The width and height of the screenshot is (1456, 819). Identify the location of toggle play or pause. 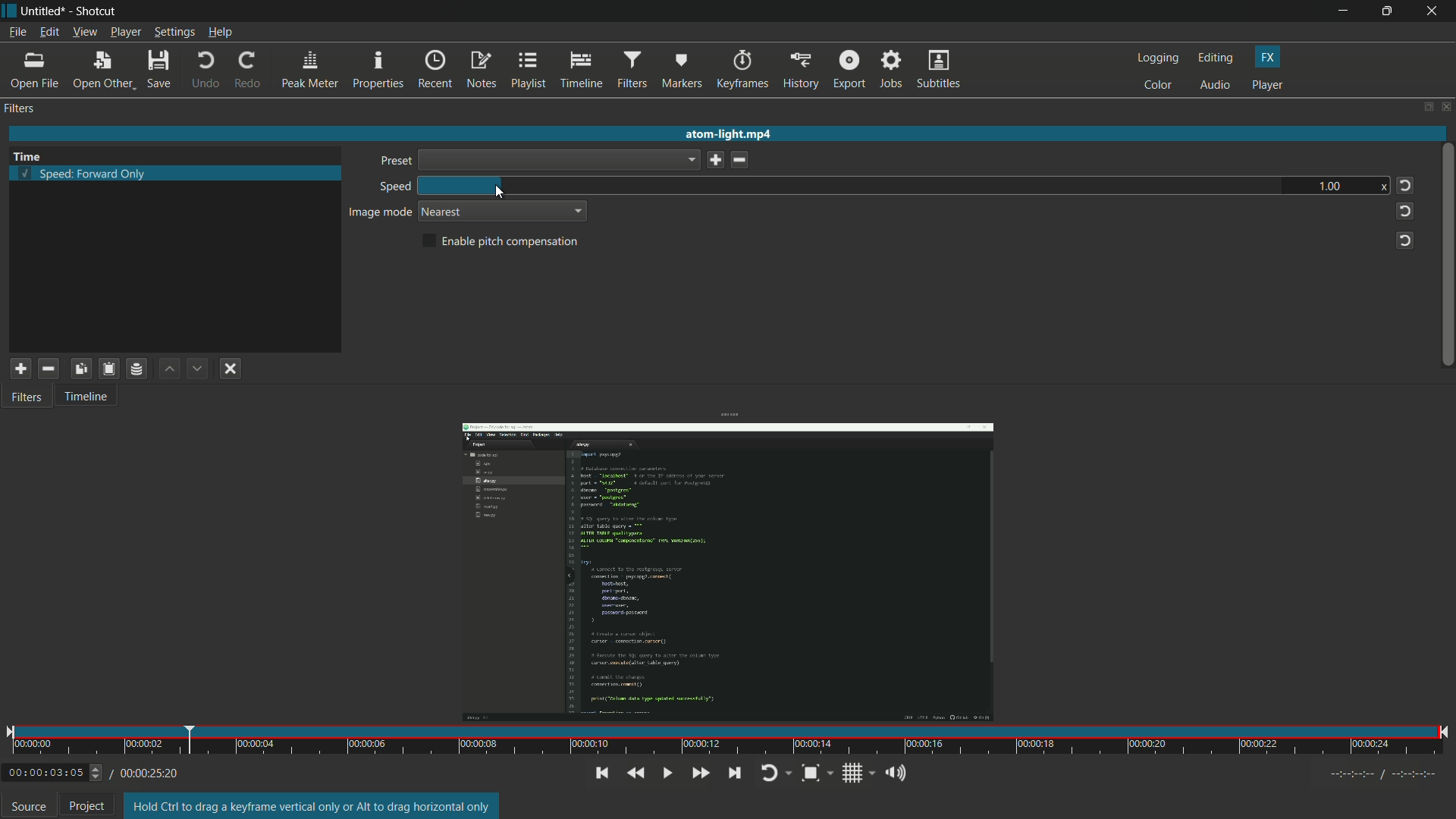
(668, 773).